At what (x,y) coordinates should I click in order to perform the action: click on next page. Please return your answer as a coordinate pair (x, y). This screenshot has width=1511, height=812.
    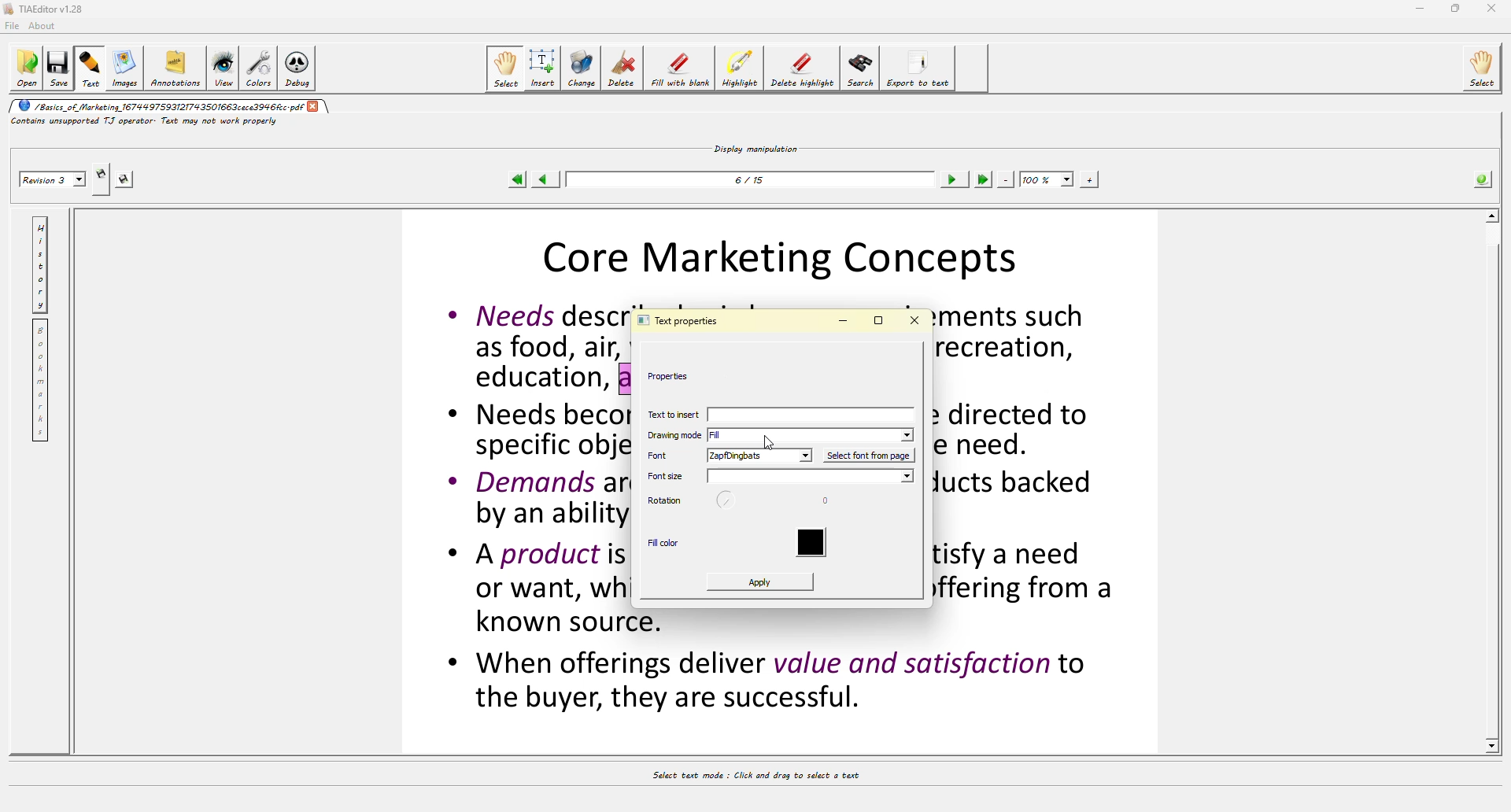
    Looking at the image, I should click on (952, 180).